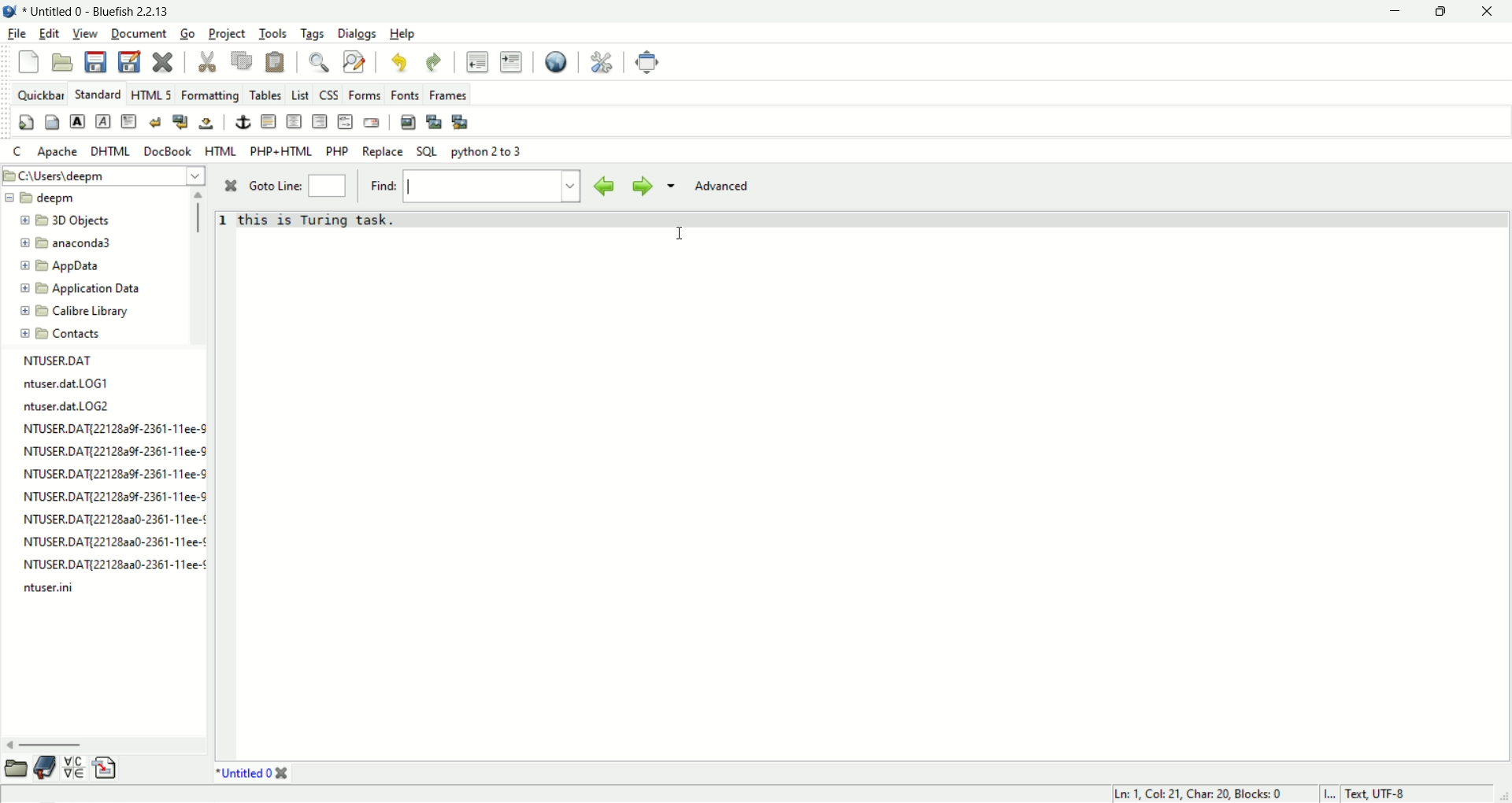 This screenshot has width=1512, height=803. Describe the element at coordinates (476, 61) in the screenshot. I see `unident` at that location.